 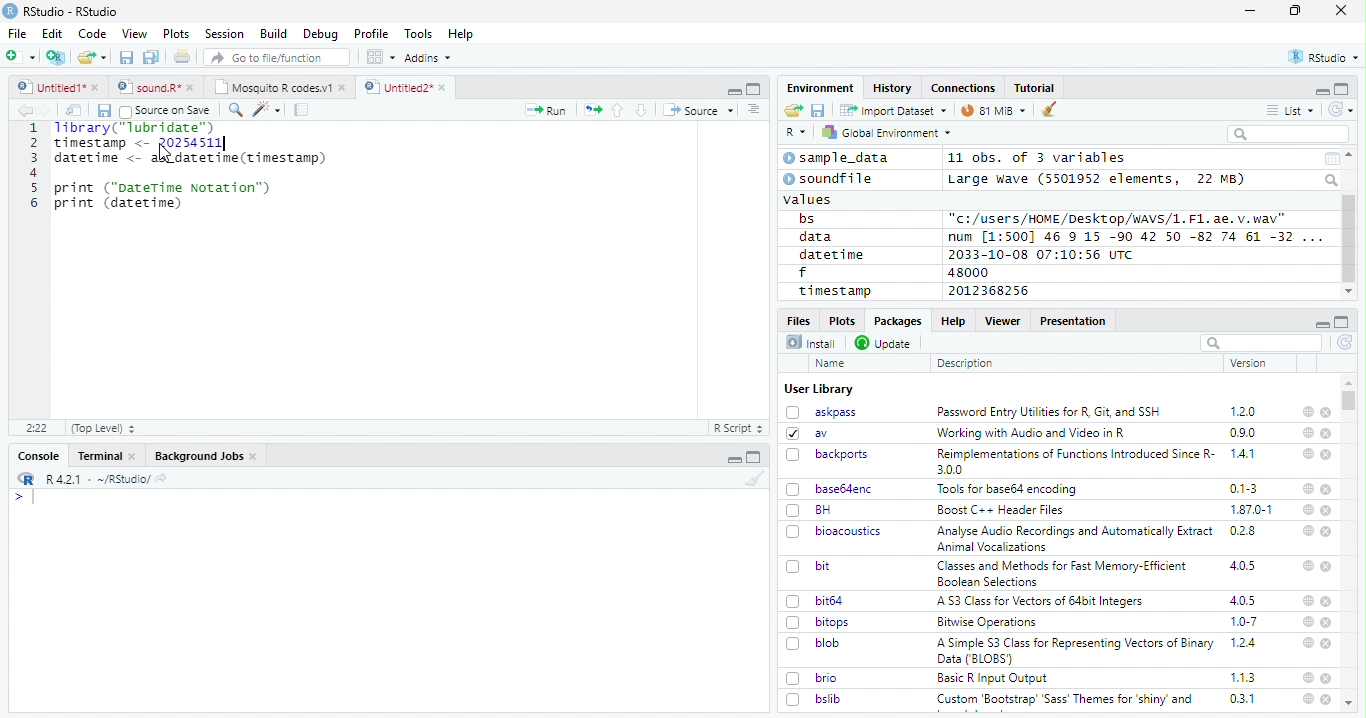 What do you see at coordinates (896, 321) in the screenshot?
I see `Packages` at bounding box center [896, 321].